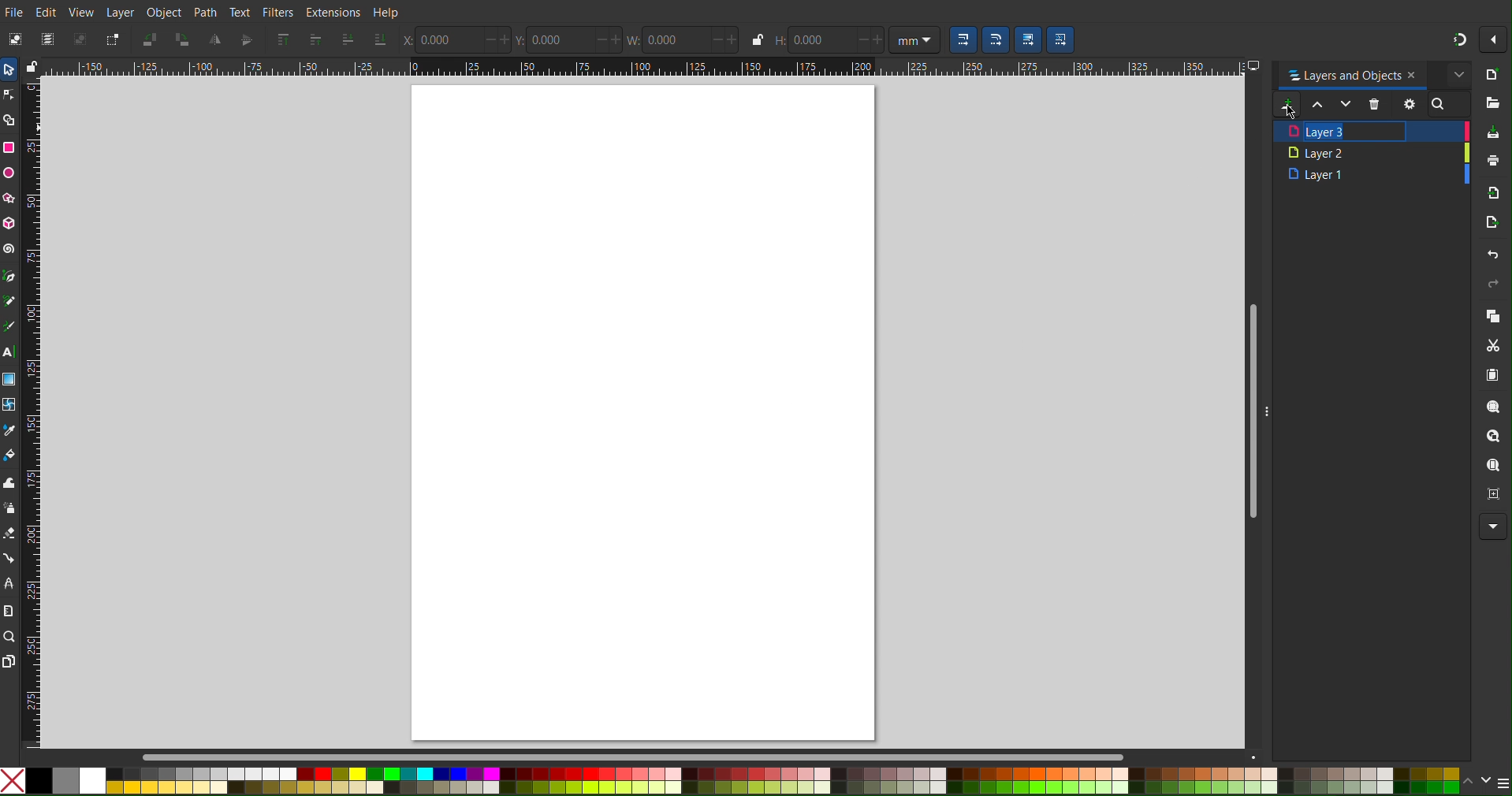 This screenshot has width=1512, height=796. Describe the element at coordinates (1011, 39) in the screenshot. I see `Selection scaling/moving options` at that location.